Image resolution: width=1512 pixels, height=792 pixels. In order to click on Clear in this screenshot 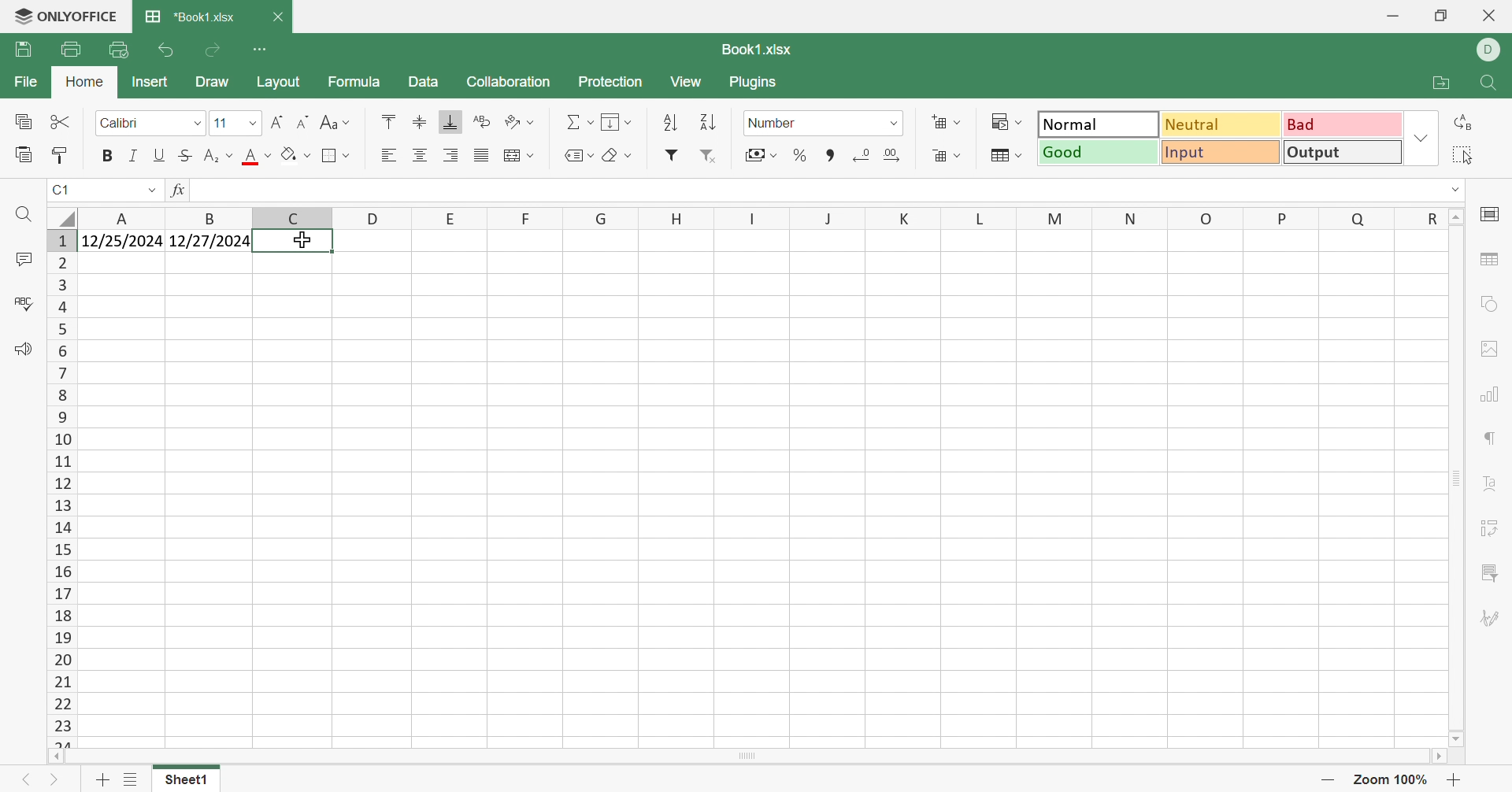, I will do `click(615, 154)`.